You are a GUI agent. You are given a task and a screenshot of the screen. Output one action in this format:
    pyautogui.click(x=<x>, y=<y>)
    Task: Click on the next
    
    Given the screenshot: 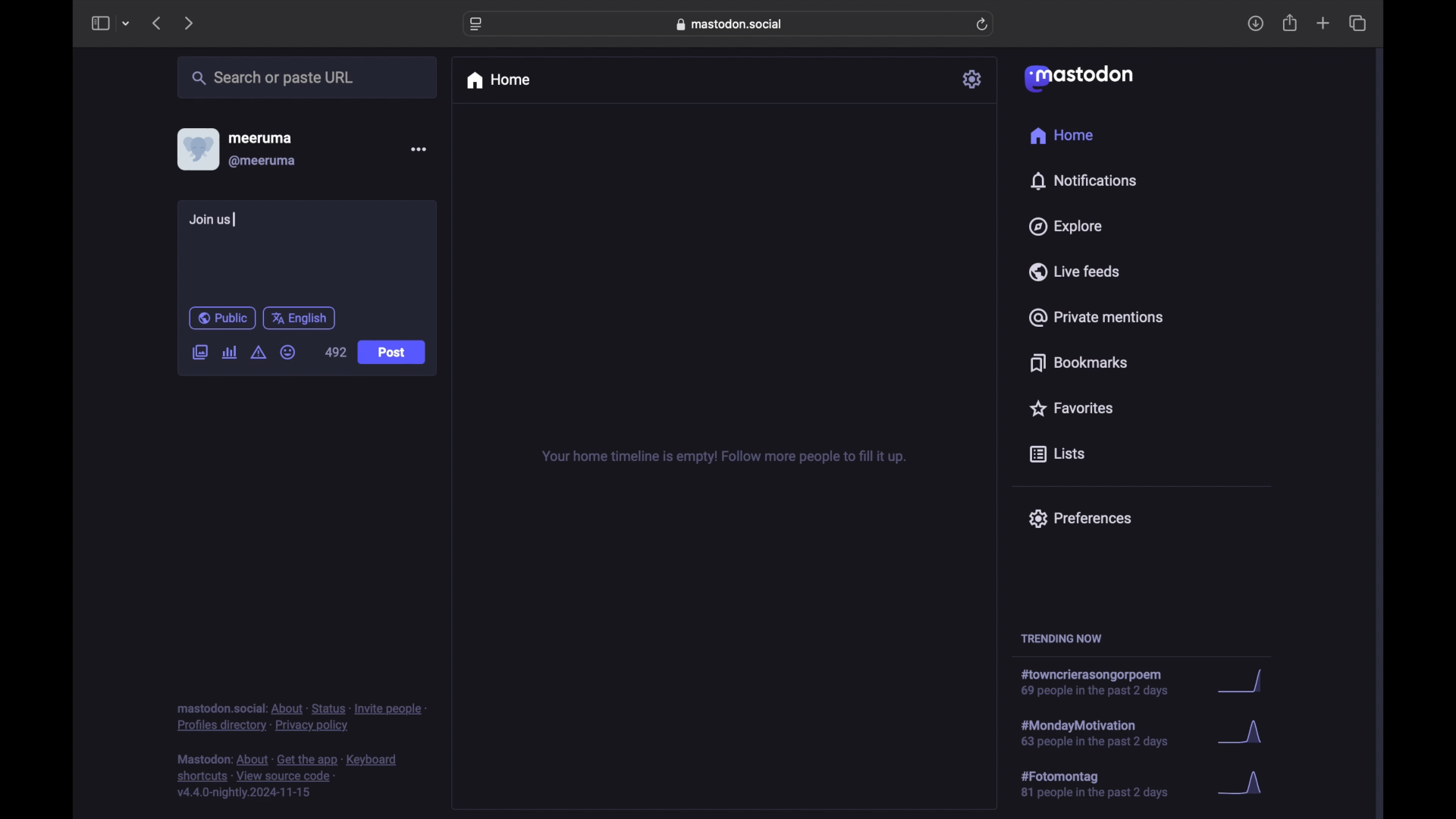 What is the action you would take?
    pyautogui.click(x=190, y=23)
    